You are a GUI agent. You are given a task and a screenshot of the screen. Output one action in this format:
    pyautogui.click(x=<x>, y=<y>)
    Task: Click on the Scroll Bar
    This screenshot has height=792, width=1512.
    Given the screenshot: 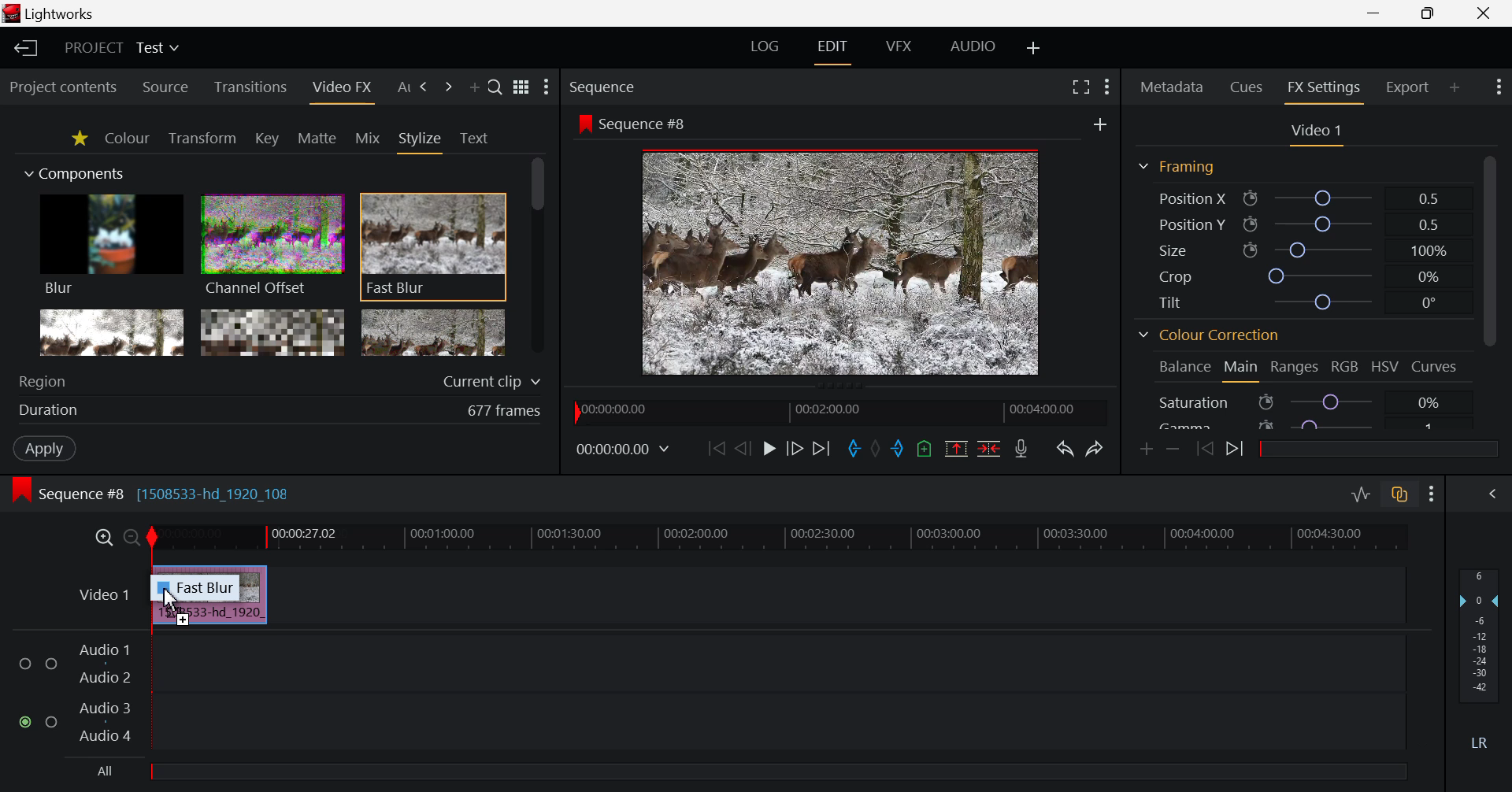 What is the action you would take?
    pyautogui.click(x=540, y=257)
    